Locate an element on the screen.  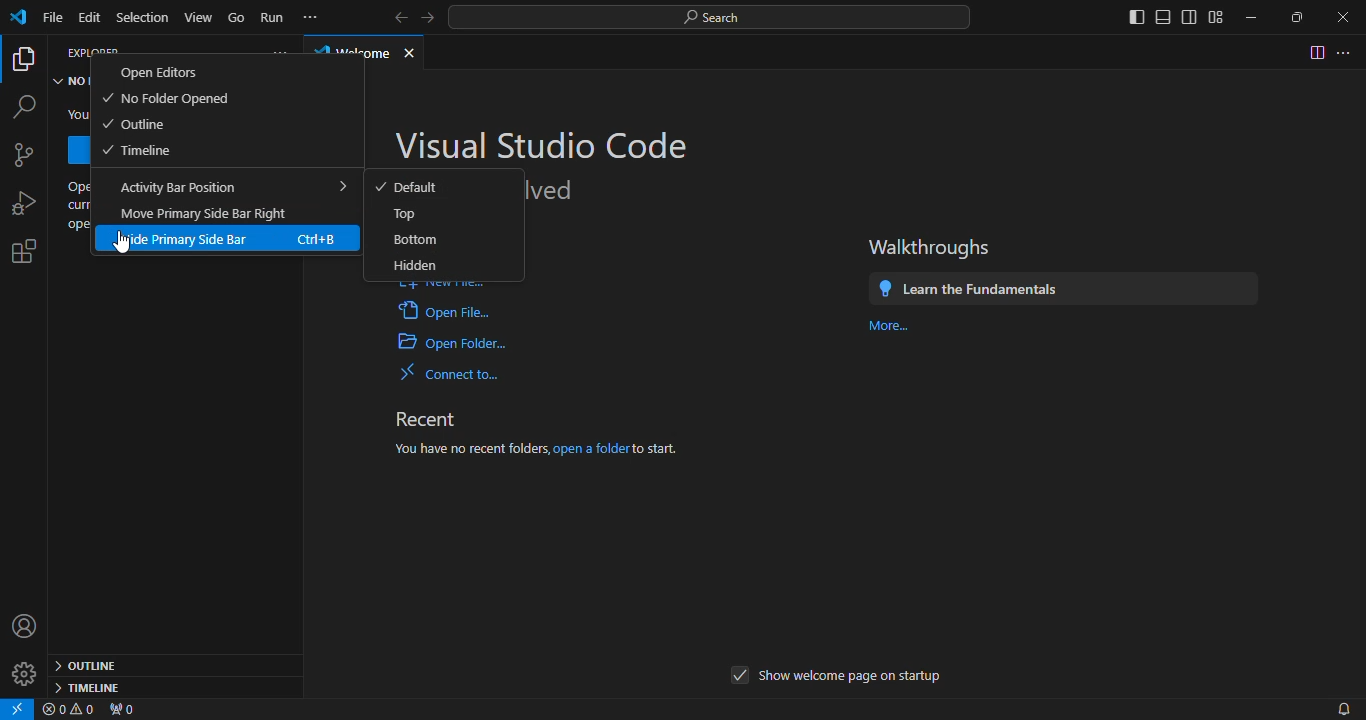
Timeline is located at coordinates (139, 150).